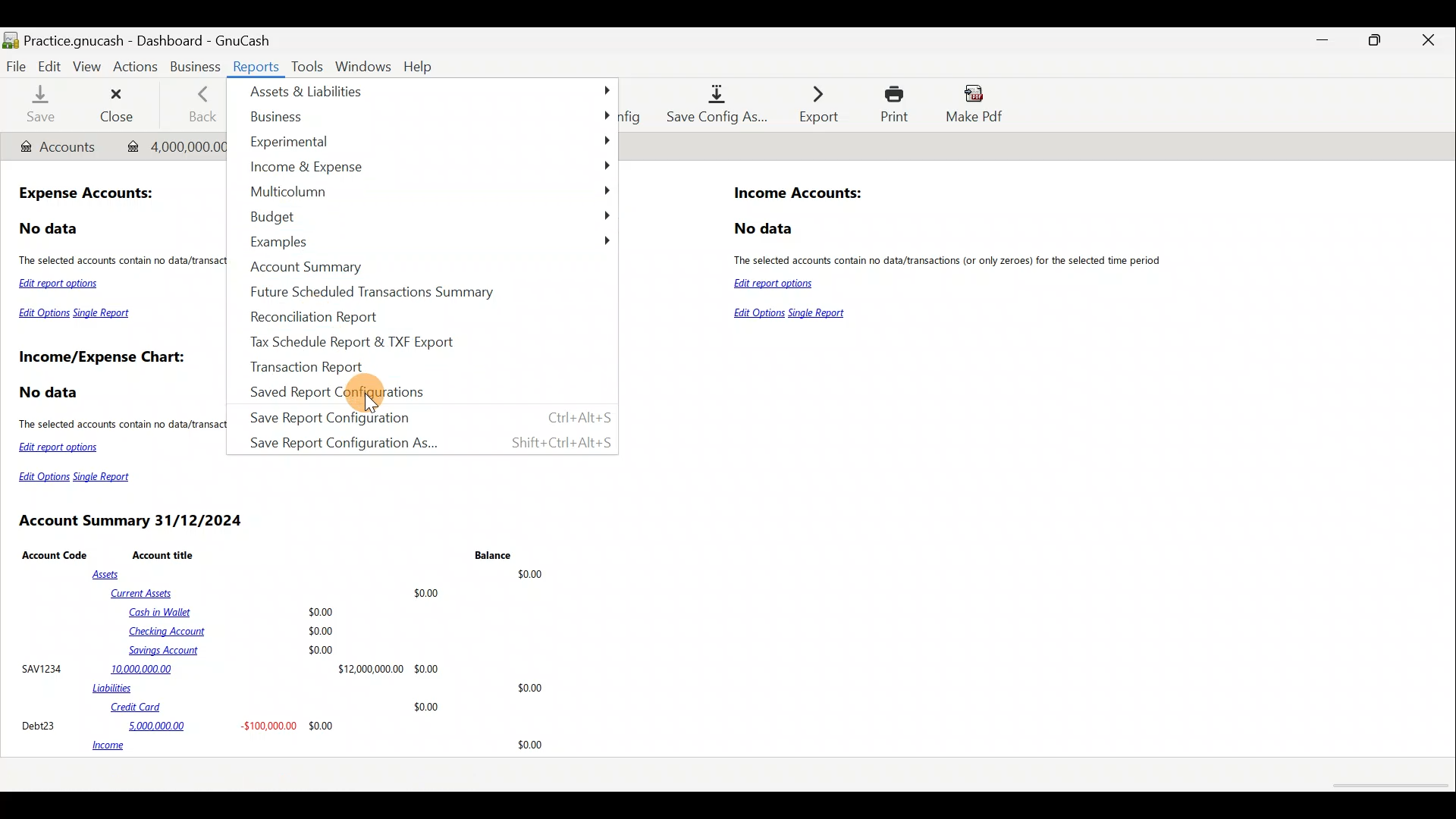 This screenshot has height=819, width=1456. I want to click on Recondiliation Report, so click(315, 316).